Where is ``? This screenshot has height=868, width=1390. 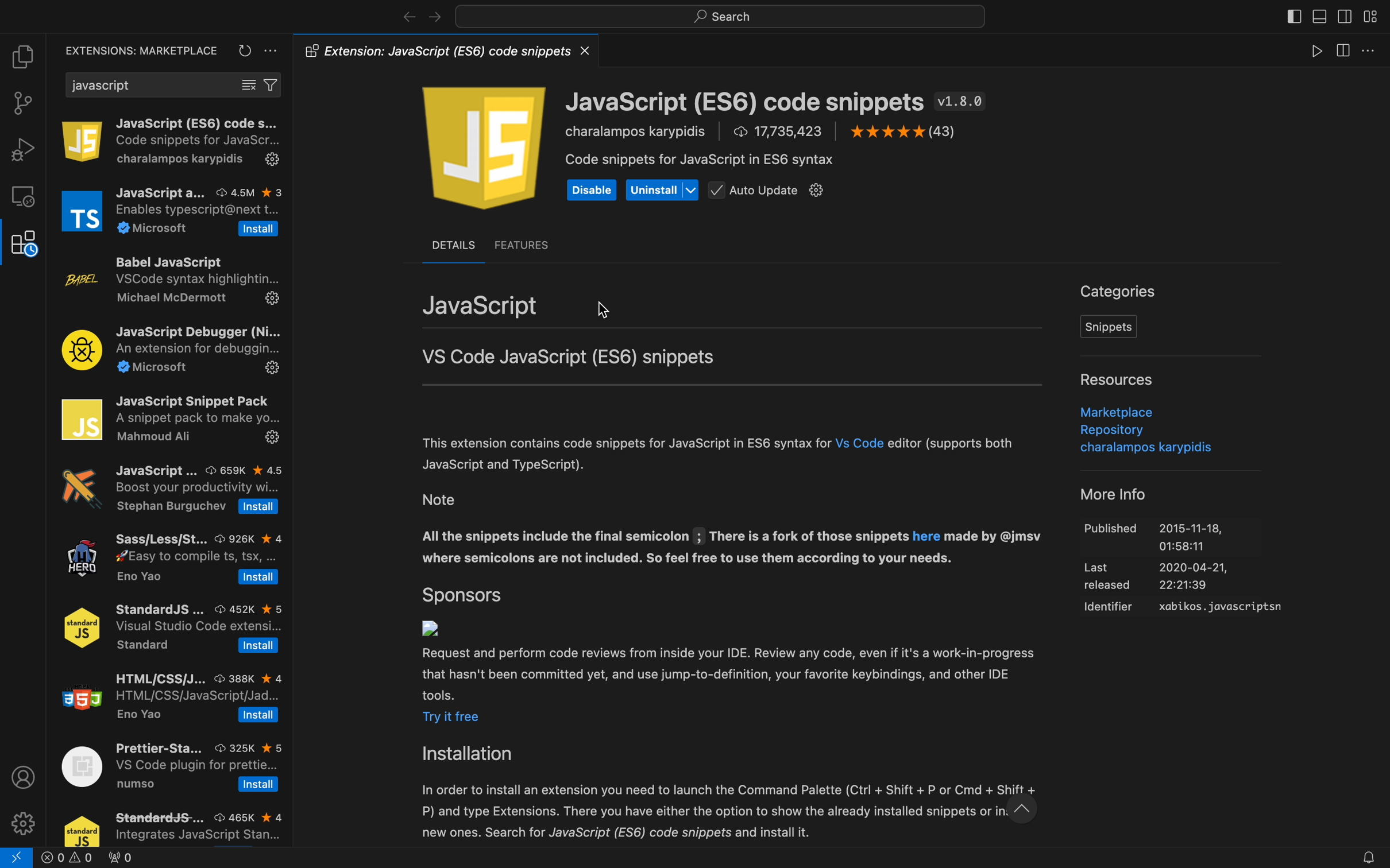
 is located at coordinates (1142, 450).